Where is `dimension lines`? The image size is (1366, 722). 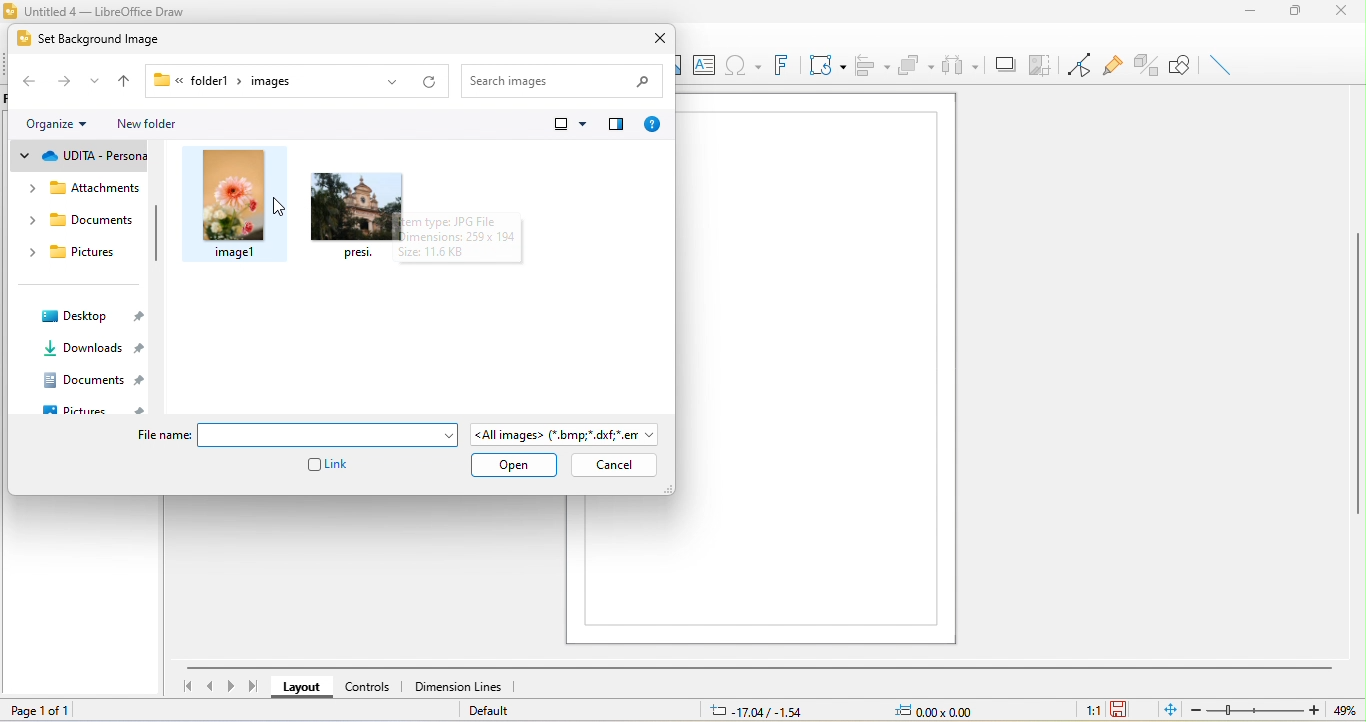 dimension lines is located at coordinates (460, 686).